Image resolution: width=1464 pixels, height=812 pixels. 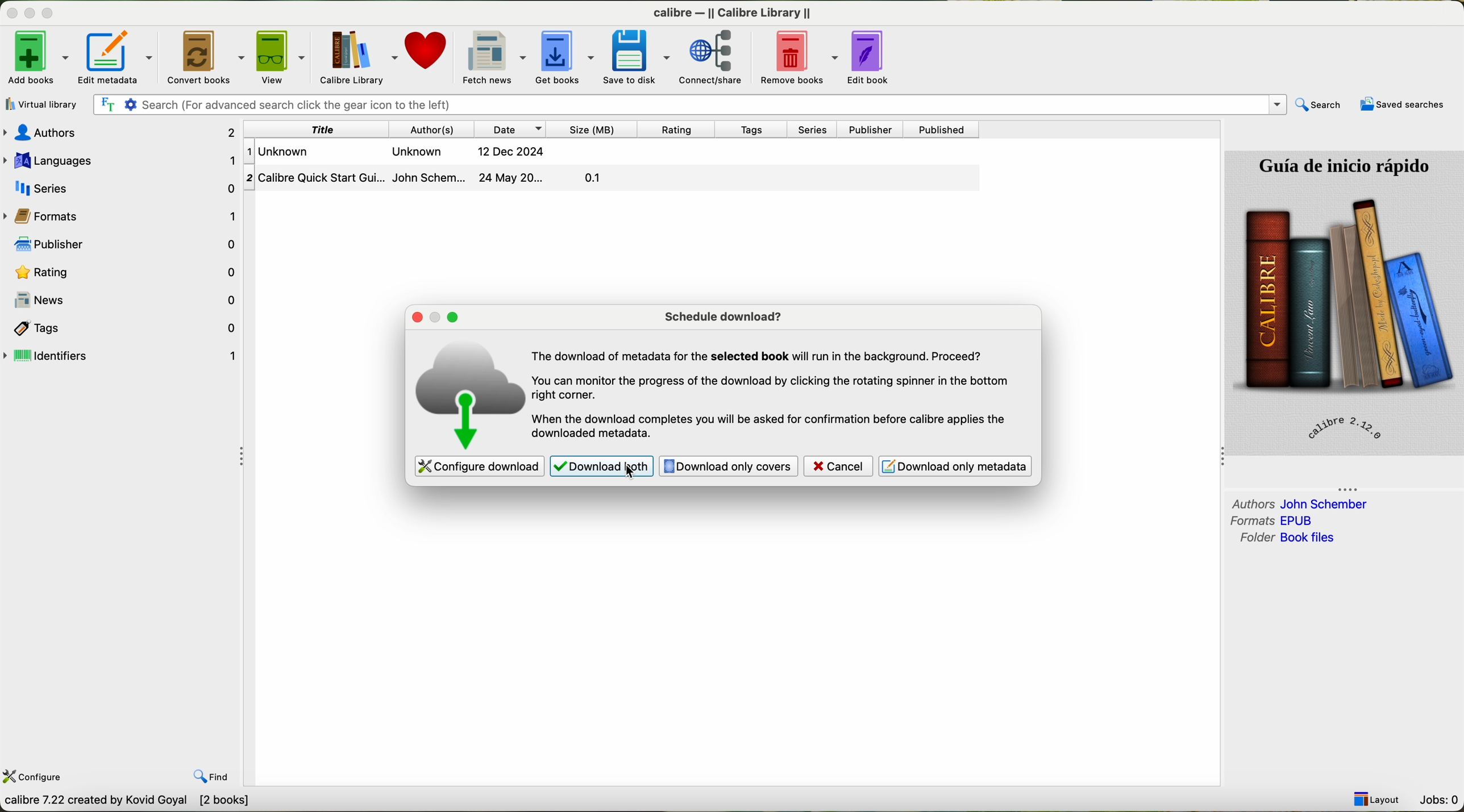 What do you see at coordinates (129, 134) in the screenshot?
I see `audio` at bounding box center [129, 134].